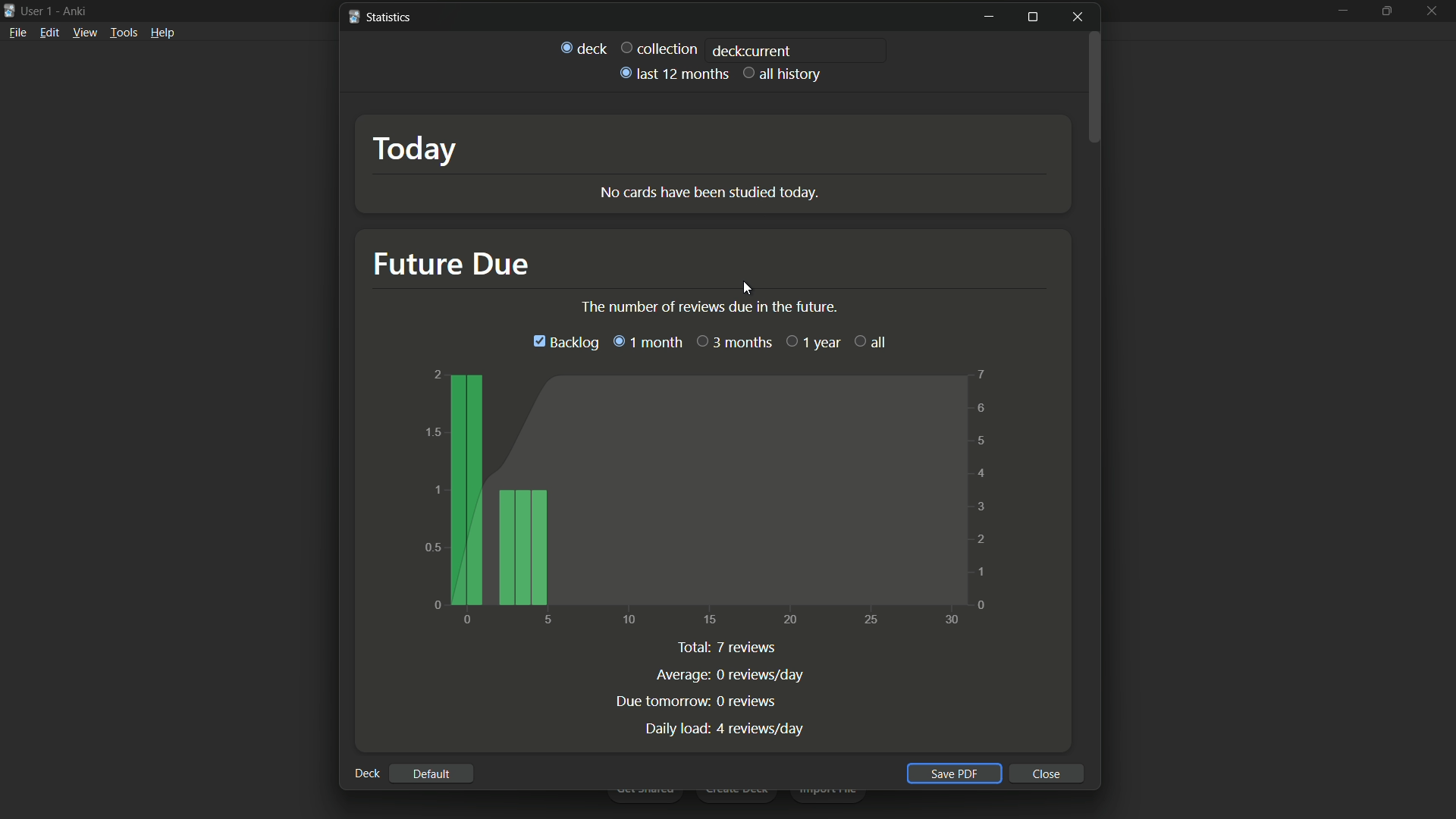  What do you see at coordinates (366, 773) in the screenshot?
I see `deck` at bounding box center [366, 773].